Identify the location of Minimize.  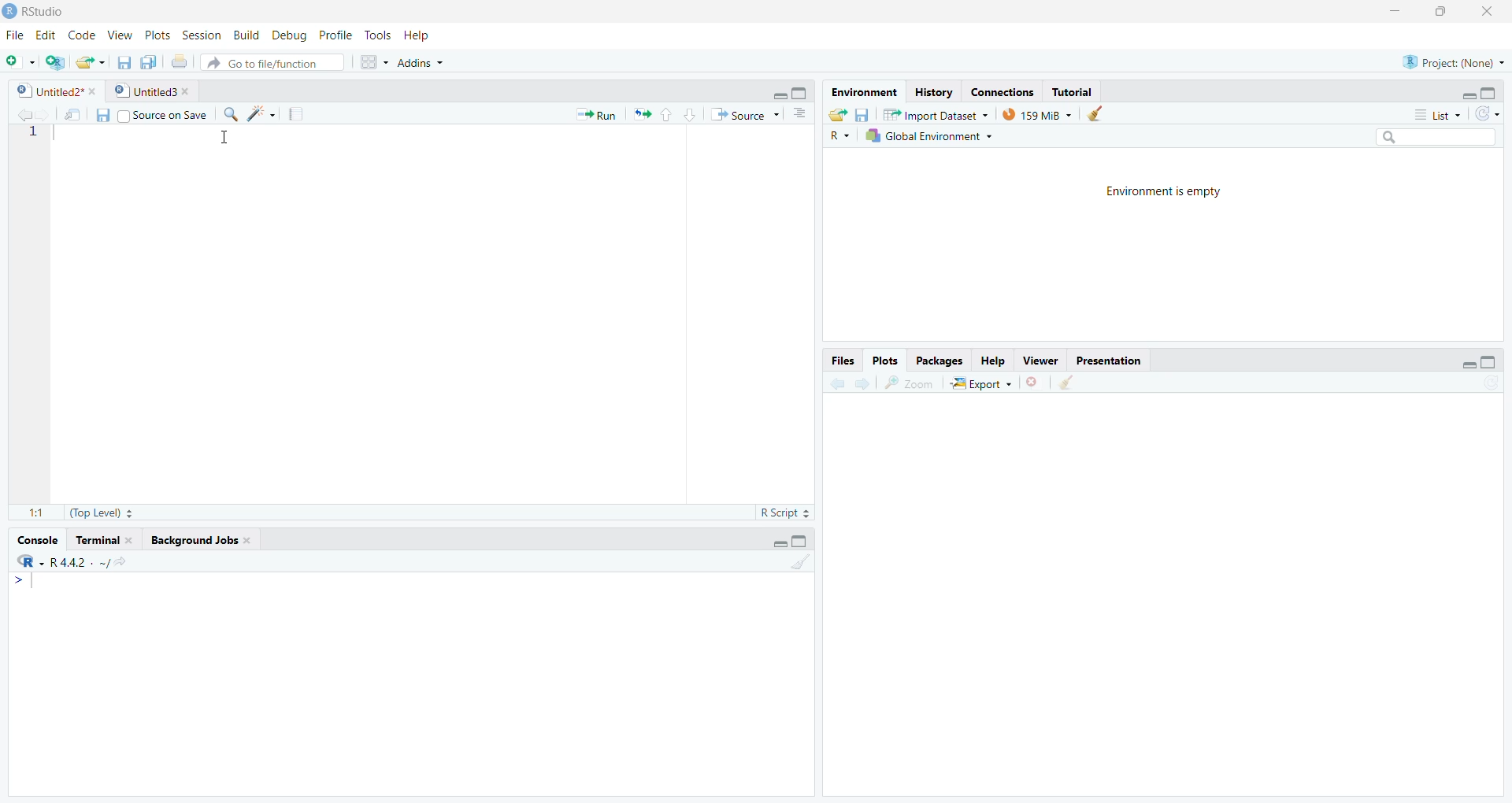
(1464, 364).